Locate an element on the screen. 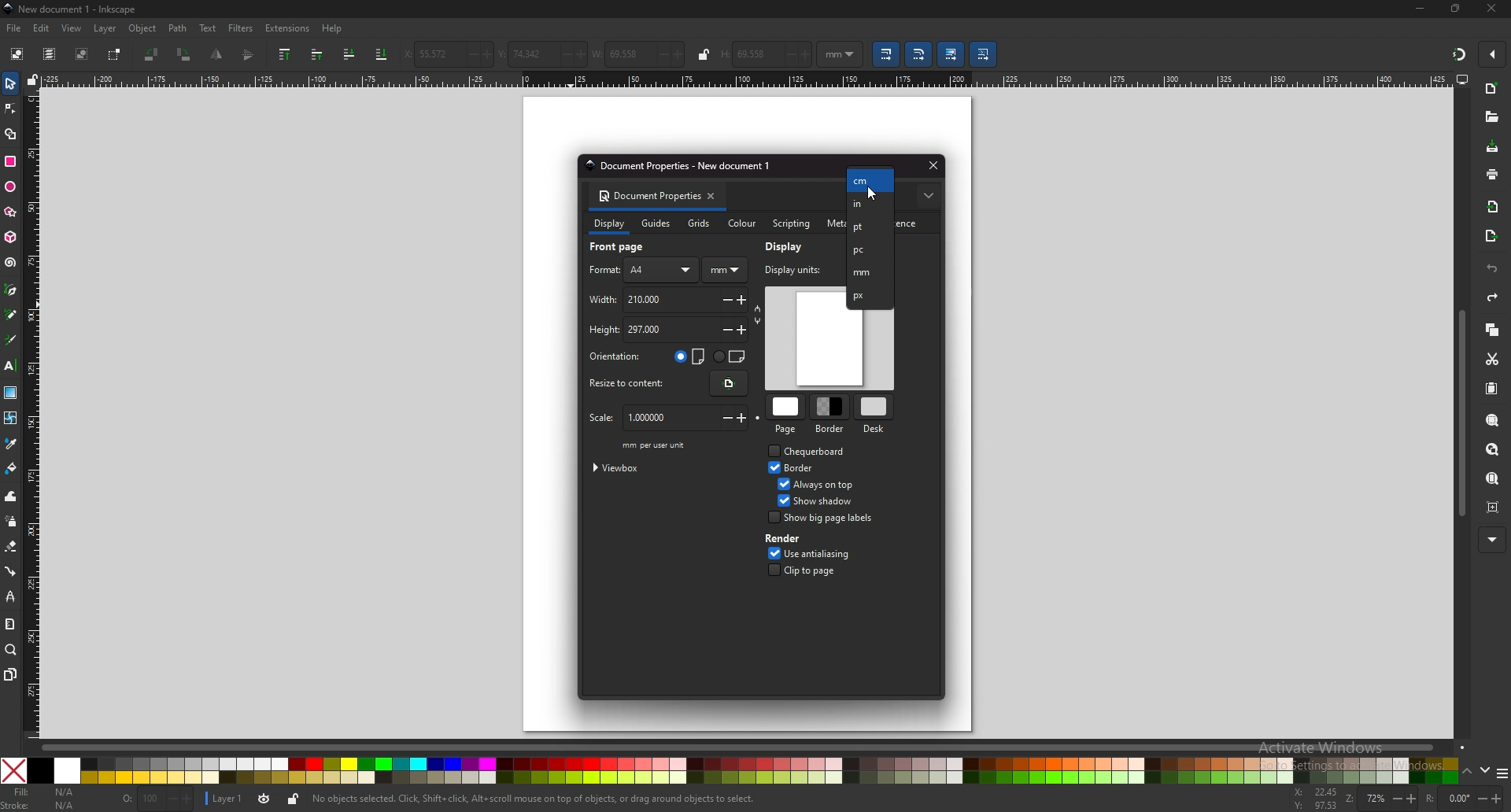 Image resolution: width=1511 pixels, height=812 pixels. lower selection to bottom is located at coordinates (382, 54).